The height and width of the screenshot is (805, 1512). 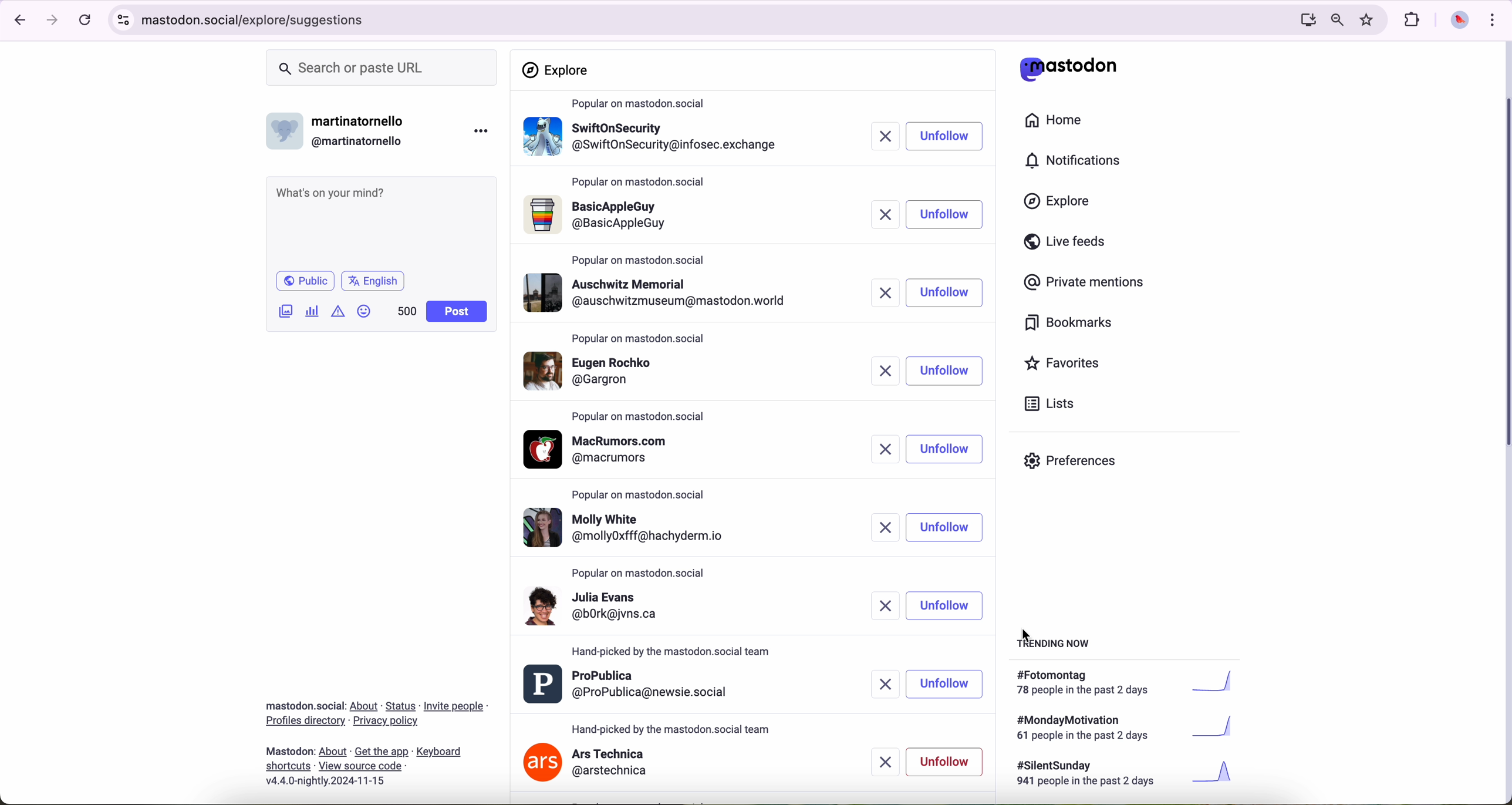 I want to click on unfollow, so click(x=947, y=683).